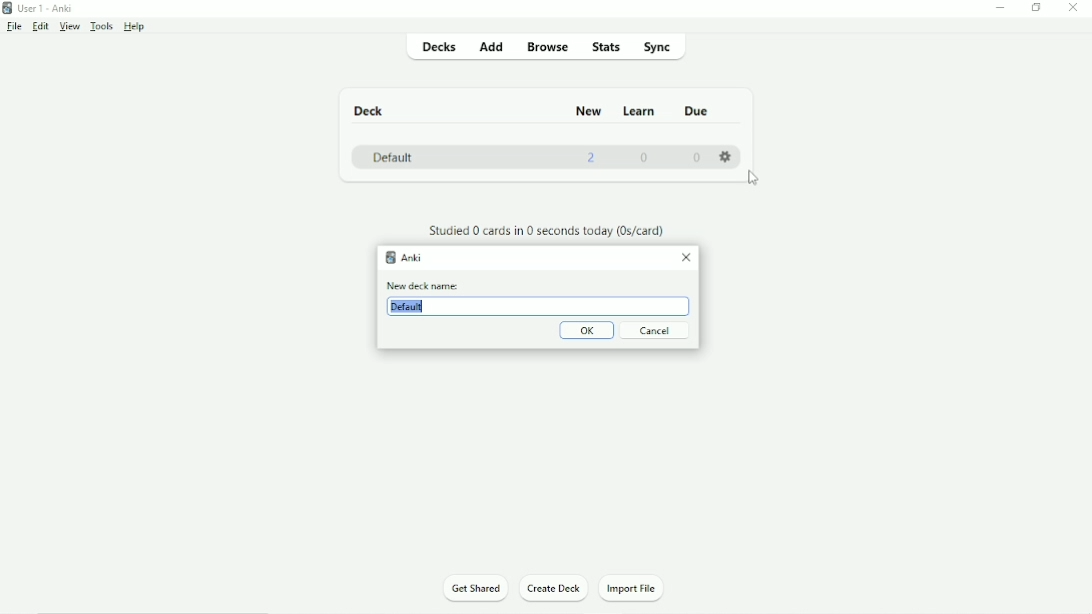 The width and height of the screenshot is (1092, 614). Describe the element at coordinates (592, 158) in the screenshot. I see `2` at that location.